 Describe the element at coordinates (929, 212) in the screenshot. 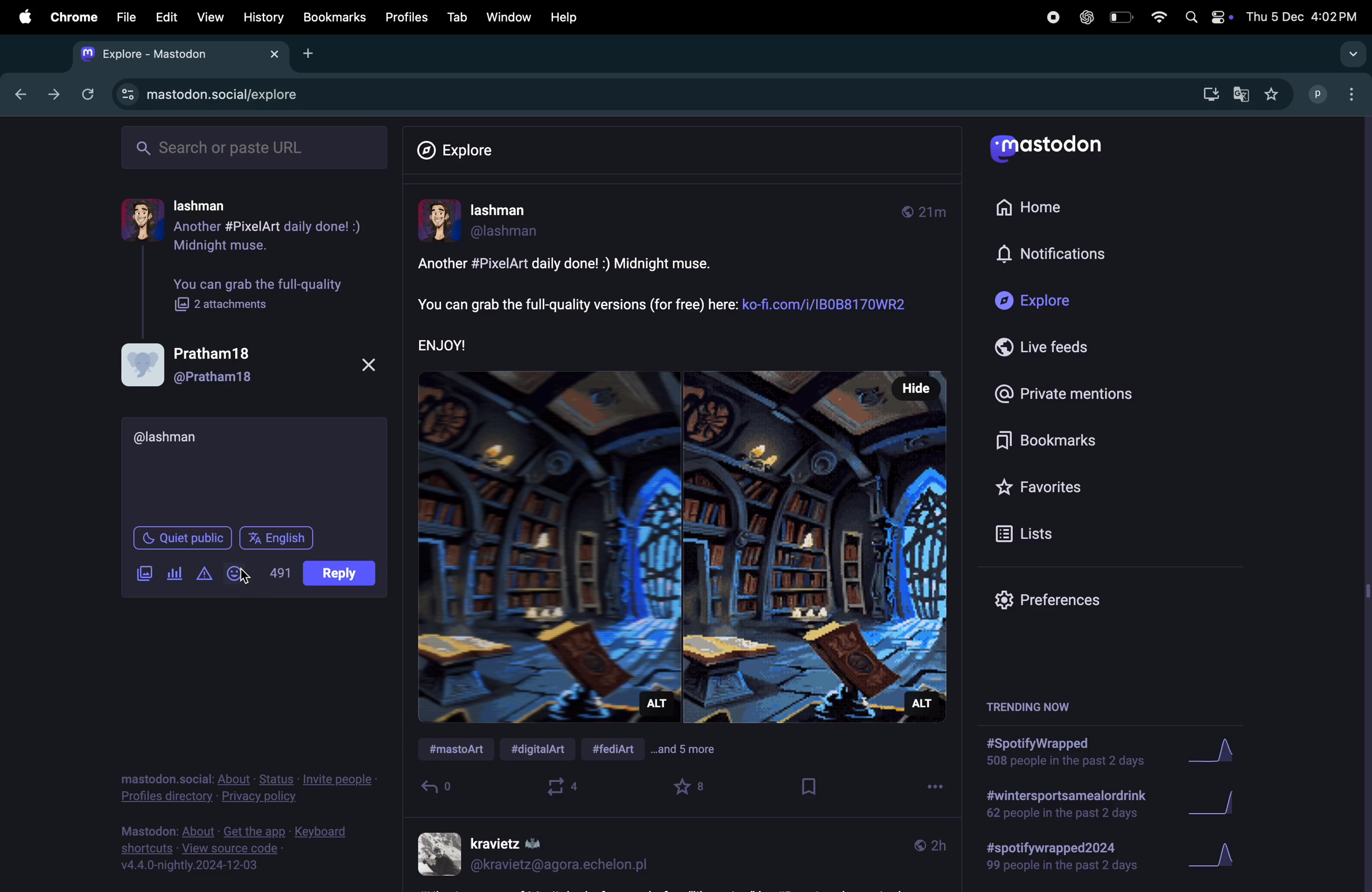

I see `time` at that location.